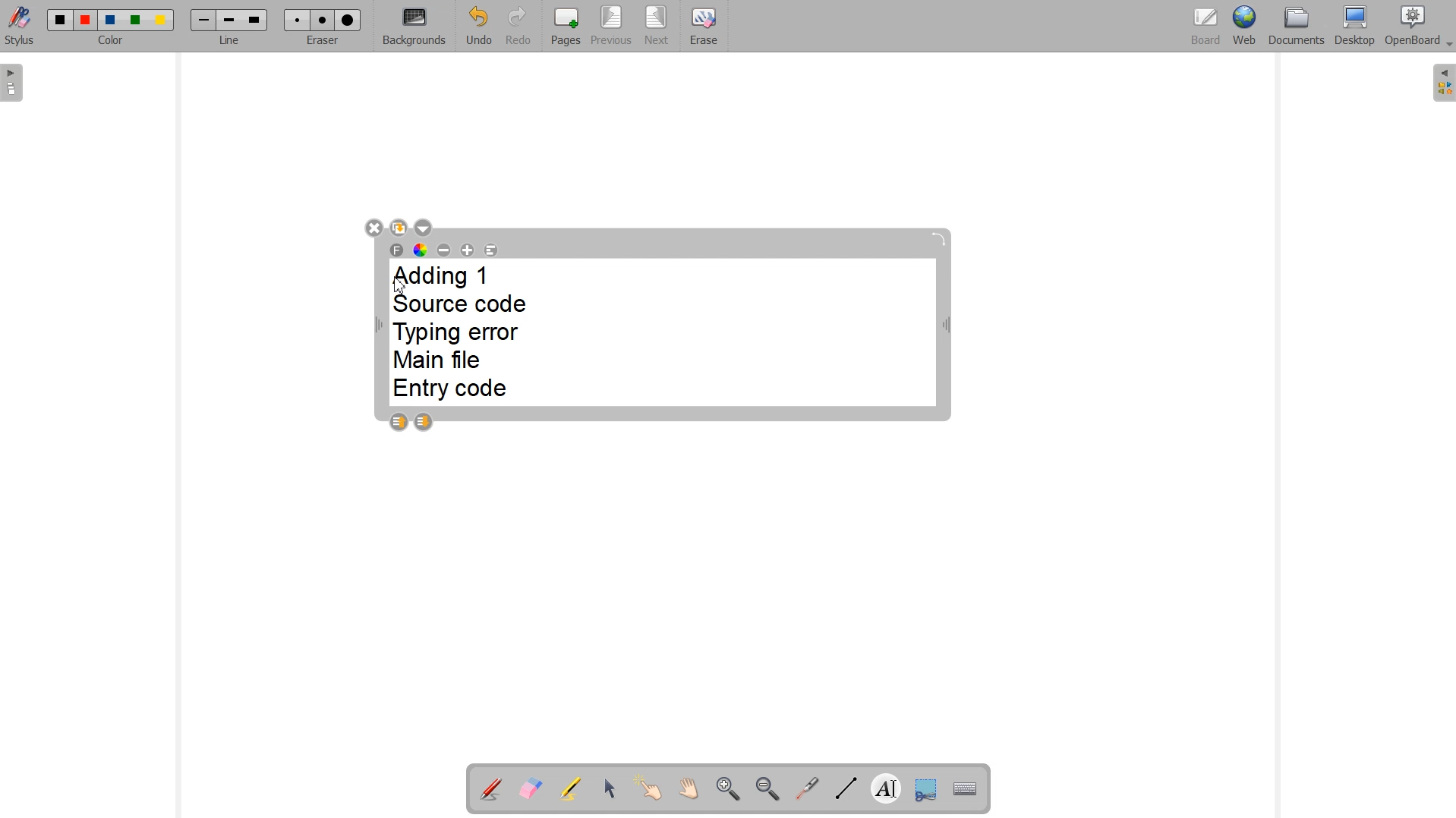 This screenshot has height=818, width=1456. What do you see at coordinates (162, 20) in the screenshot?
I see `Color 5` at bounding box center [162, 20].